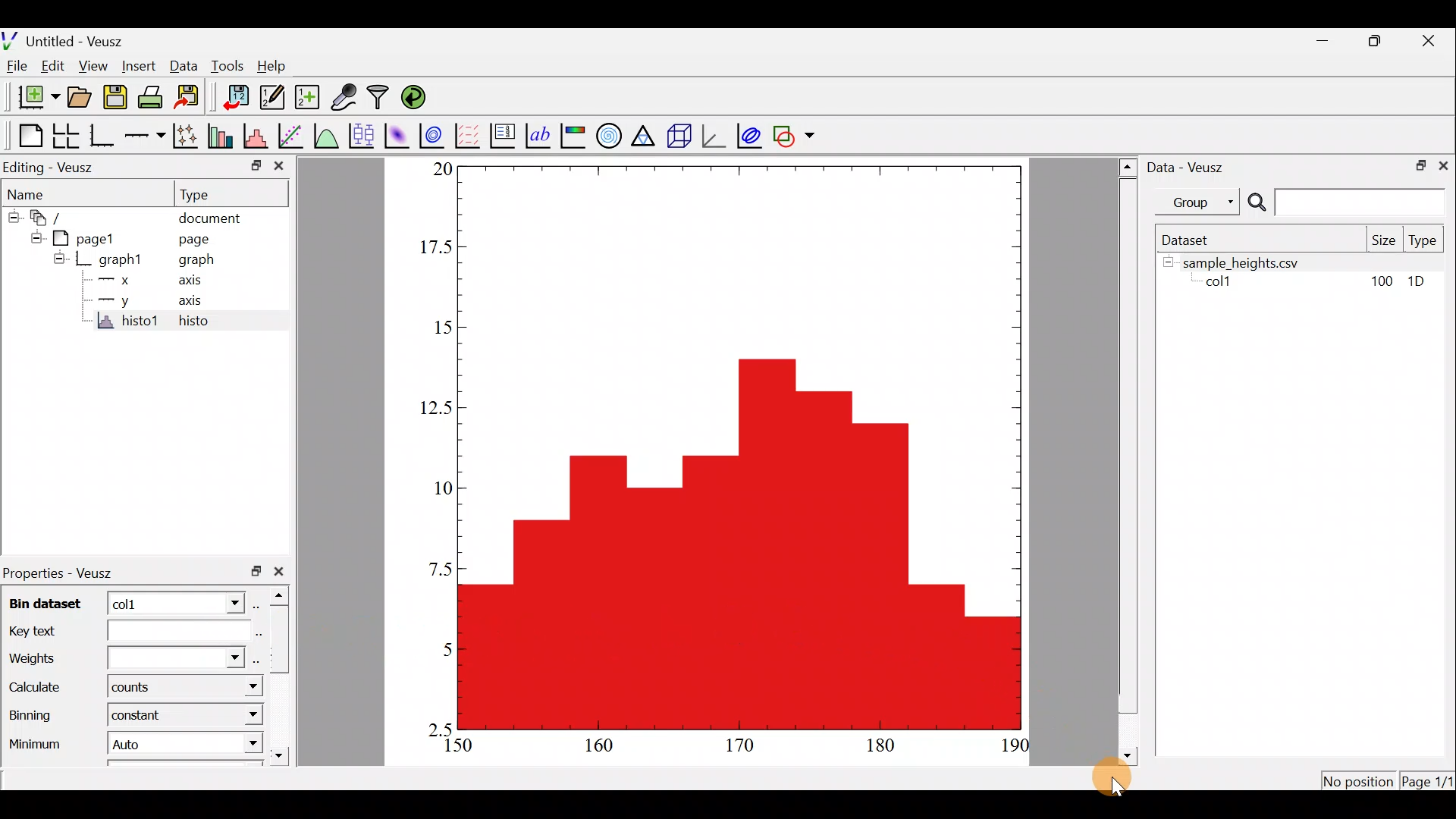 The height and width of the screenshot is (819, 1456). What do you see at coordinates (469, 136) in the screenshot?
I see `plot a vector field` at bounding box center [469, 136].